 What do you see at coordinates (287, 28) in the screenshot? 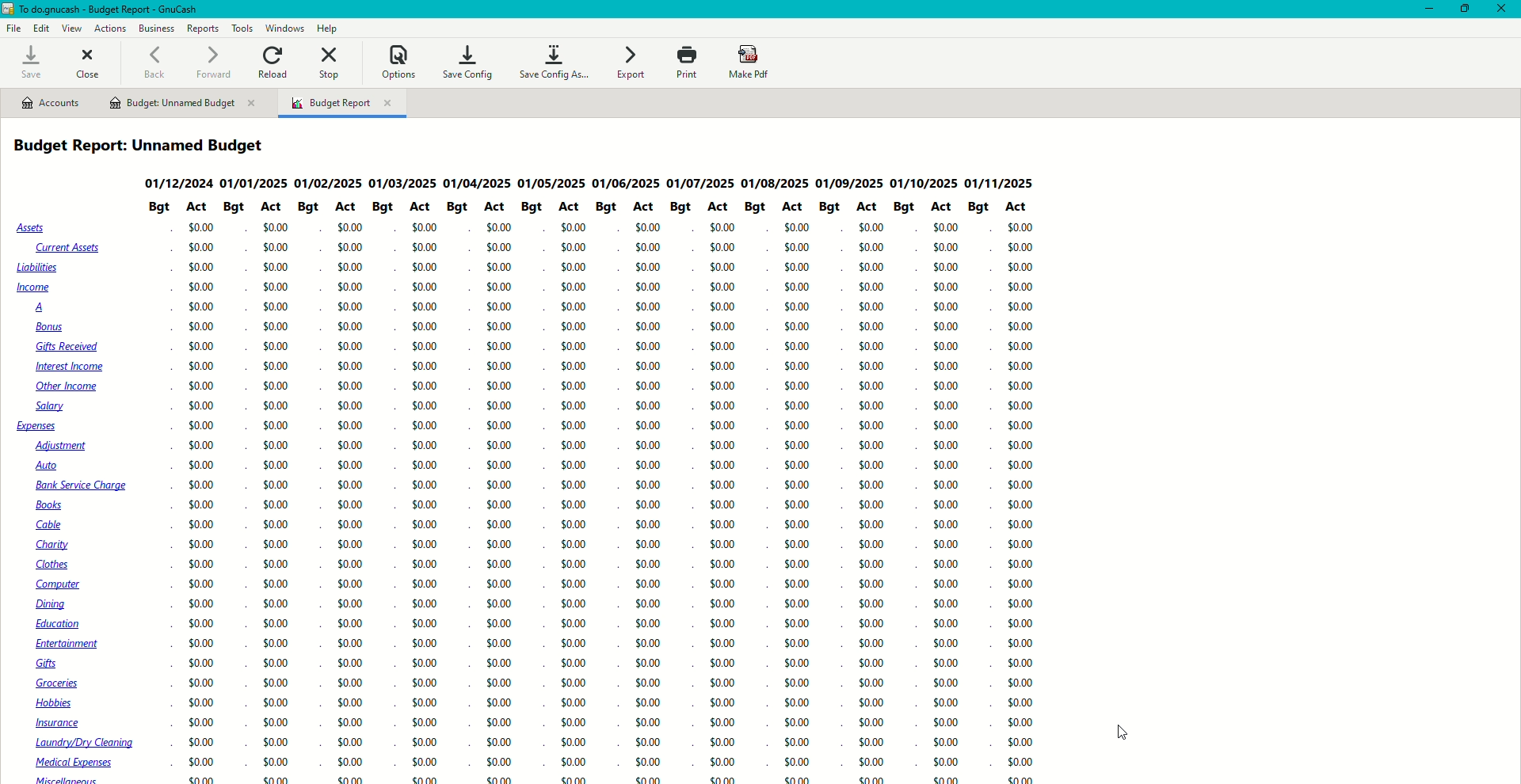
I see `Windows` at bounding box center [287, 28].